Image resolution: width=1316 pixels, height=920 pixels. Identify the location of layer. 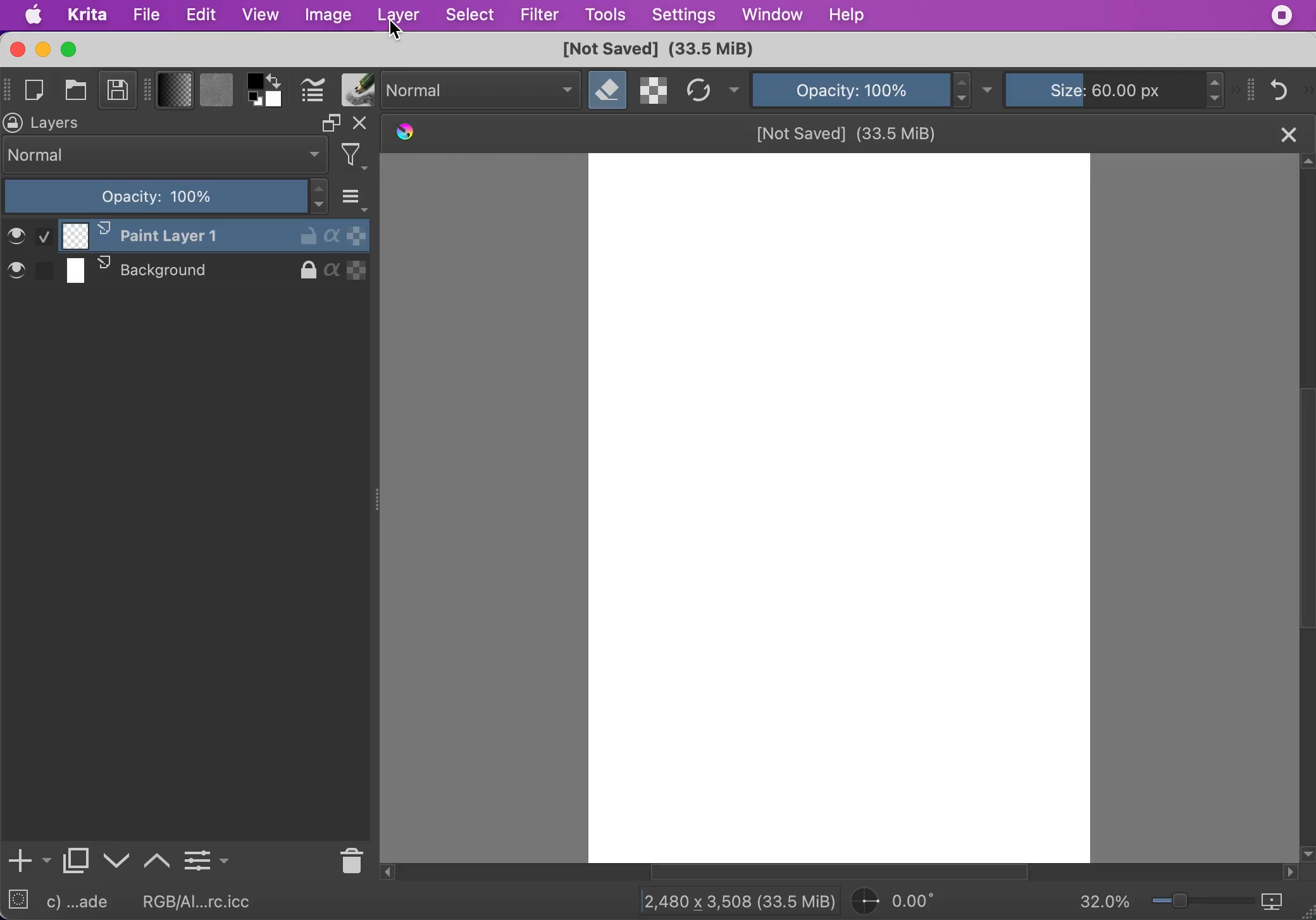
(397, 16).